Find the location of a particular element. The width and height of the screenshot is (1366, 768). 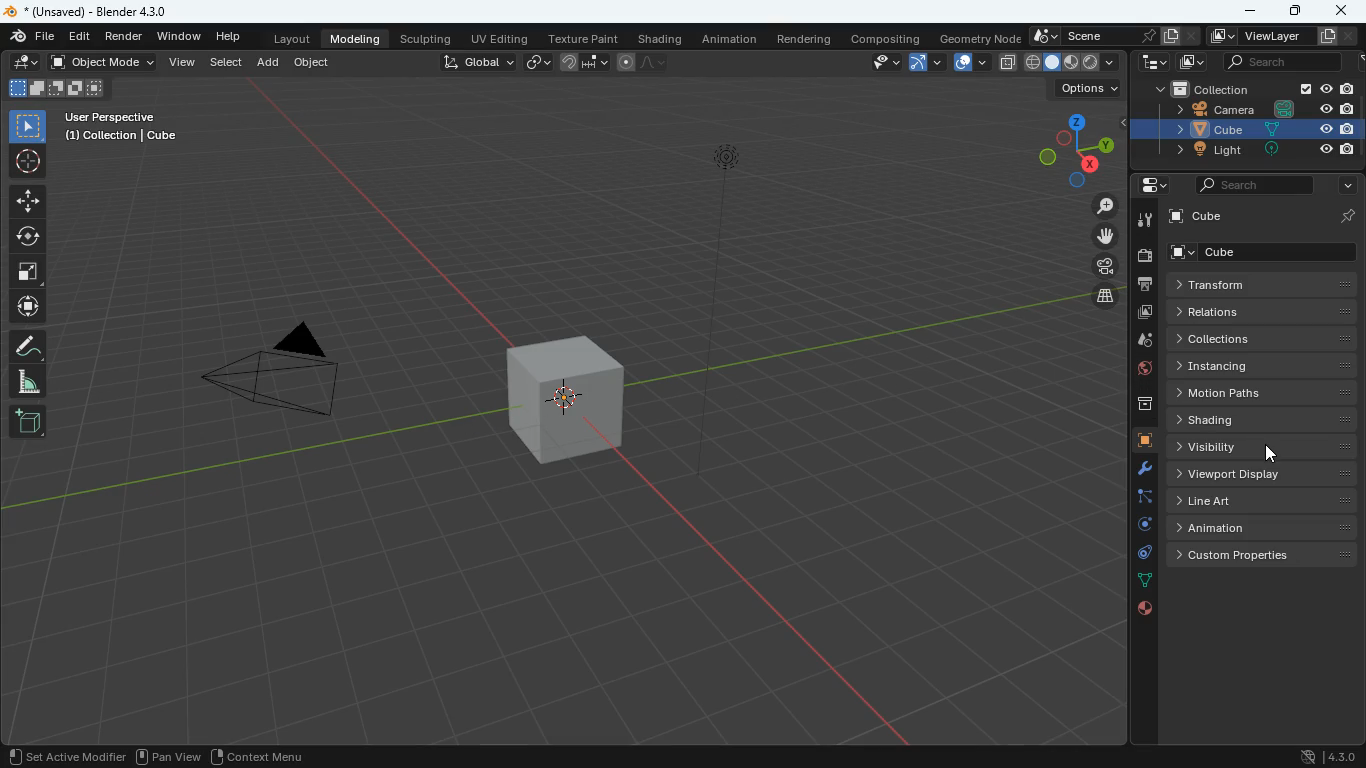

close is located at coordinates (1343, 12).